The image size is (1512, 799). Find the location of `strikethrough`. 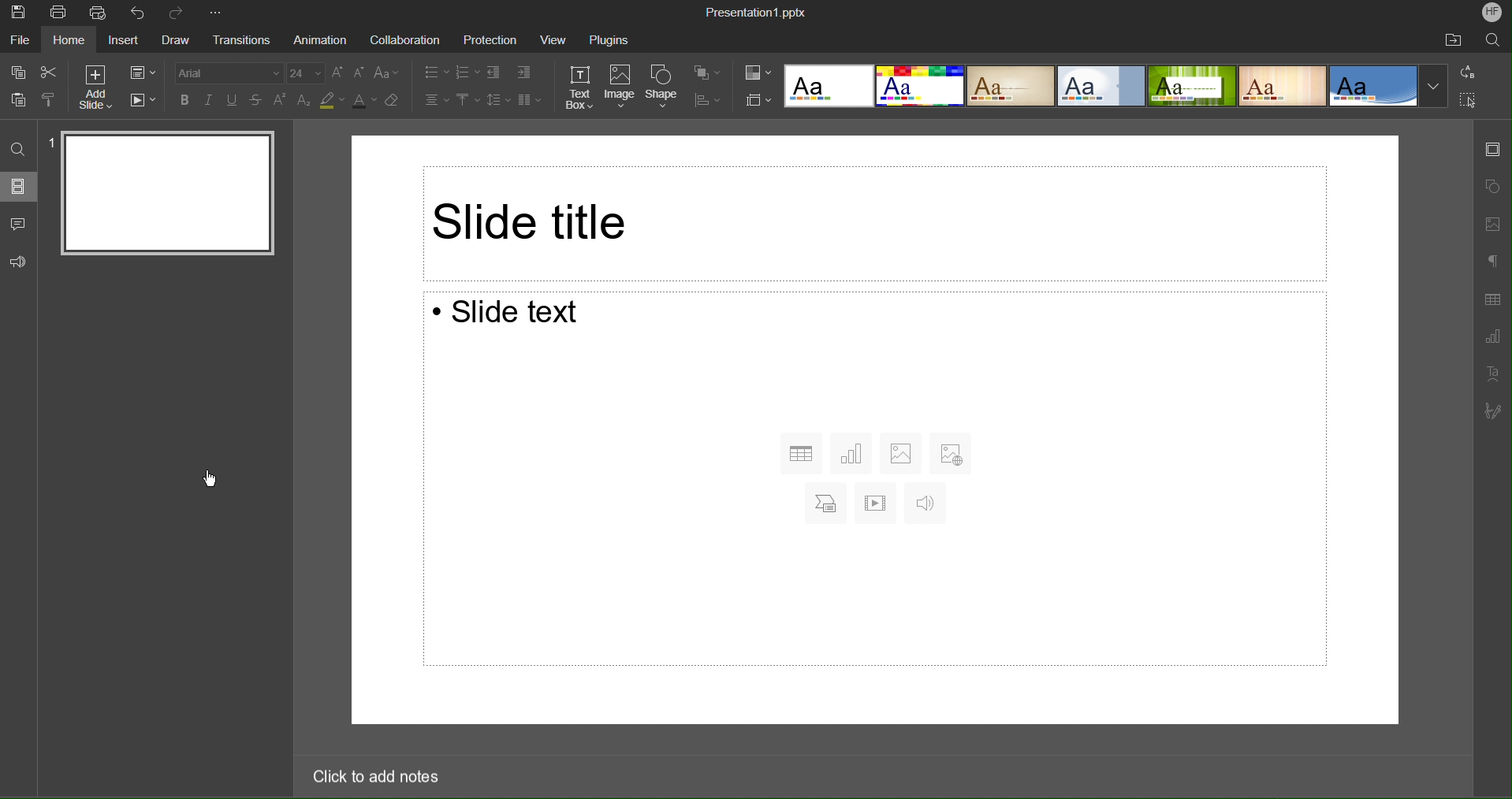

strikethrough is located at coordinates (257, 101).